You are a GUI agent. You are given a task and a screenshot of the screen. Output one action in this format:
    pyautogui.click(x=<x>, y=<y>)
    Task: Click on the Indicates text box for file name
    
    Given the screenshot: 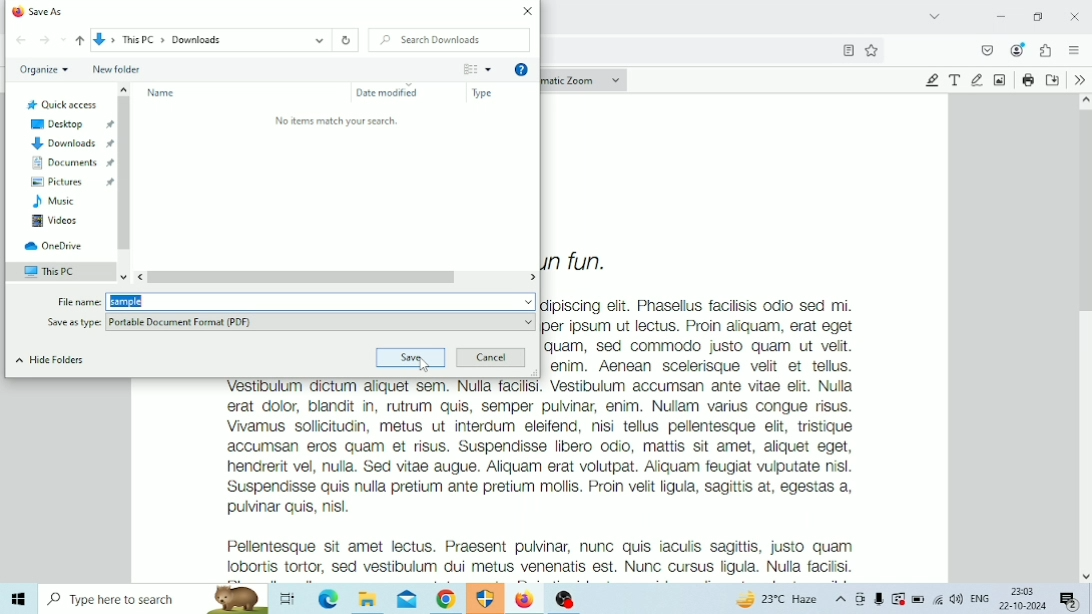 What is the action you would take?
    pyautogui.click(x=79, y=302)
    